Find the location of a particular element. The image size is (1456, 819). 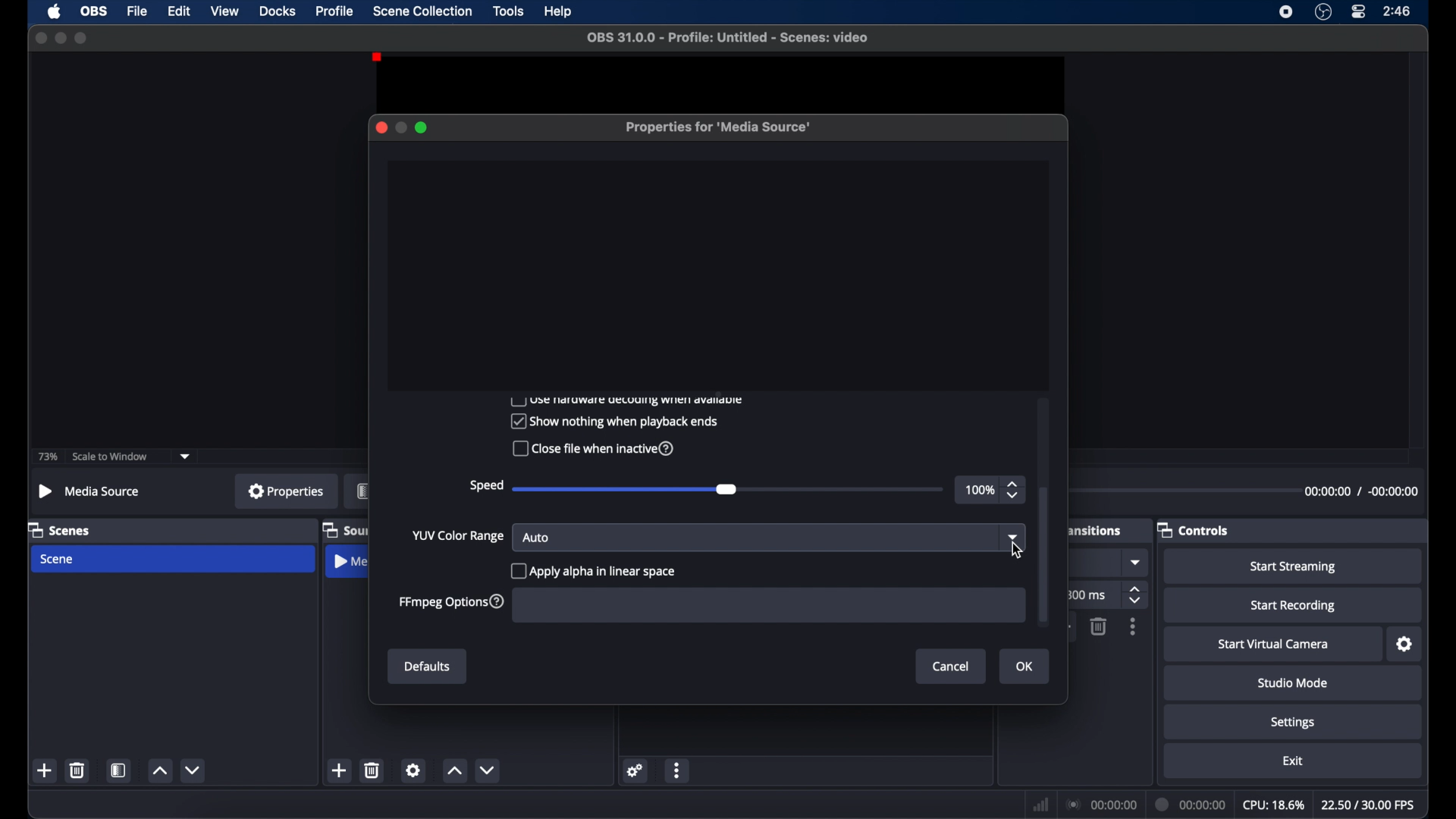

sources is located at coordinates (345, 529).